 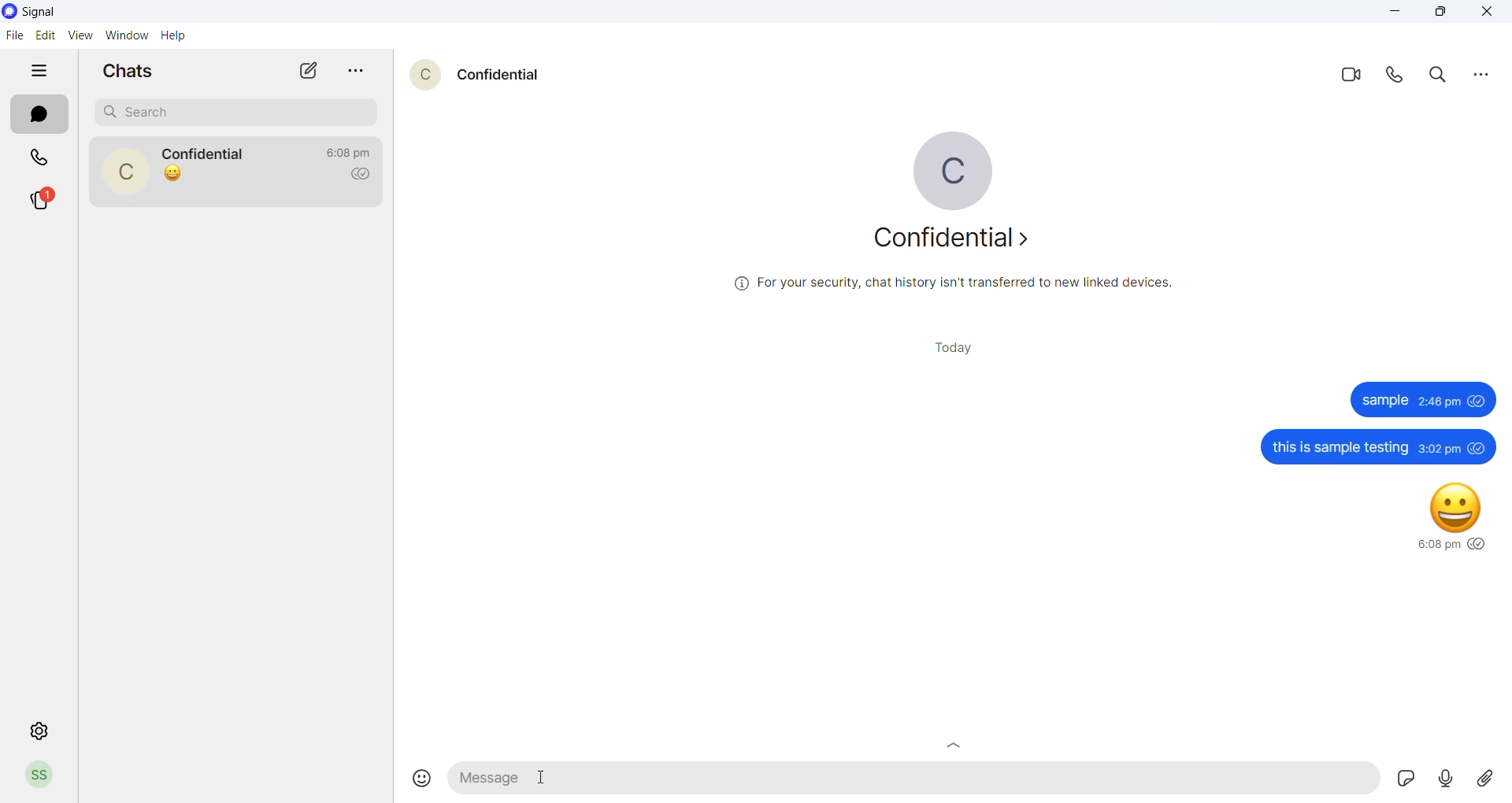 I want to click on setting, so click(x=35, y=731).